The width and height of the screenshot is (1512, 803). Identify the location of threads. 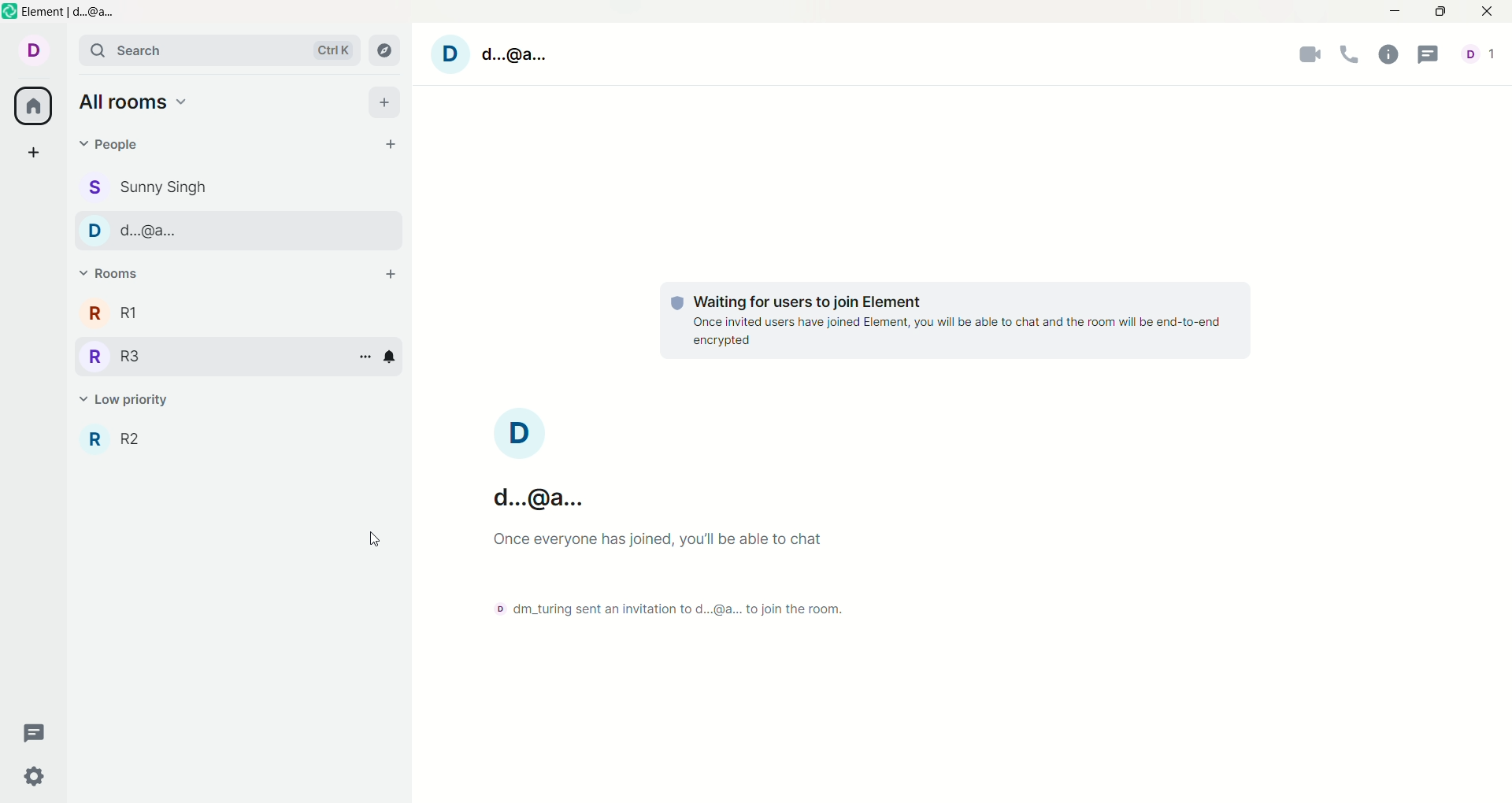
(1425, 55).